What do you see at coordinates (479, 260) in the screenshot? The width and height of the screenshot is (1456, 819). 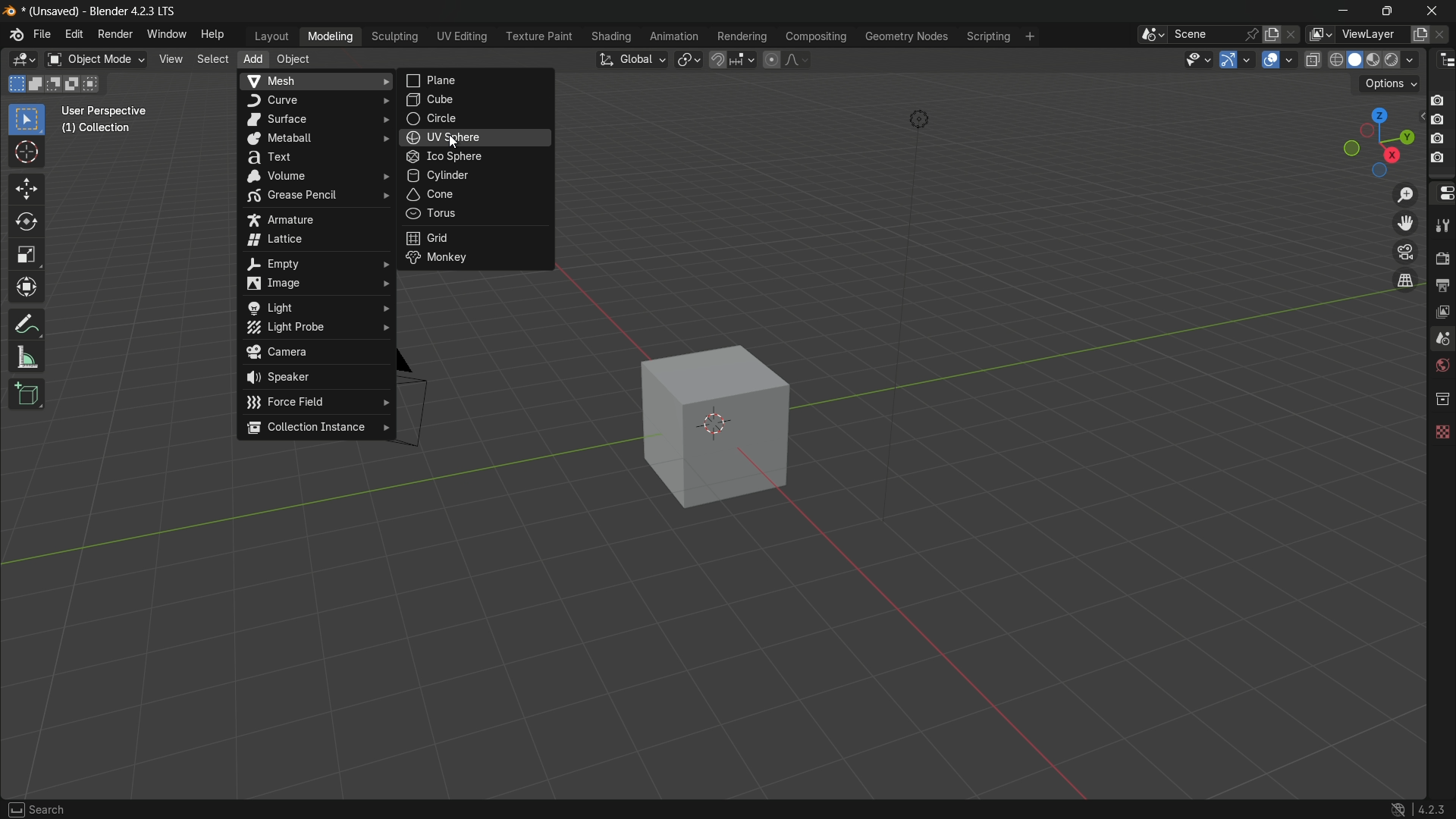 I see `monkey` at bounding box center [479, 260].